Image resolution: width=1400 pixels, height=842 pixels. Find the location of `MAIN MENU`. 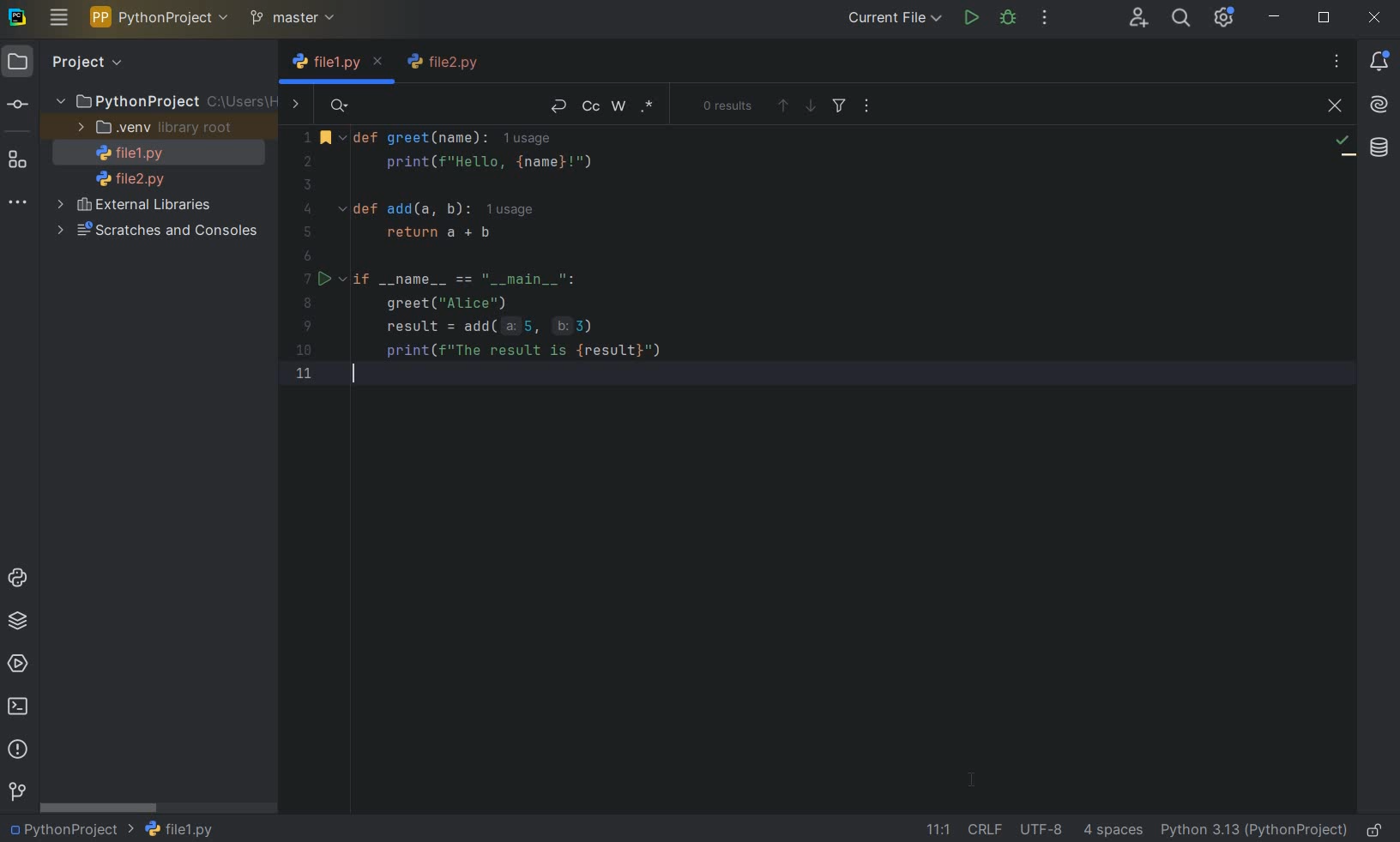

MAIN MENU is located at coordinates (59, 18).